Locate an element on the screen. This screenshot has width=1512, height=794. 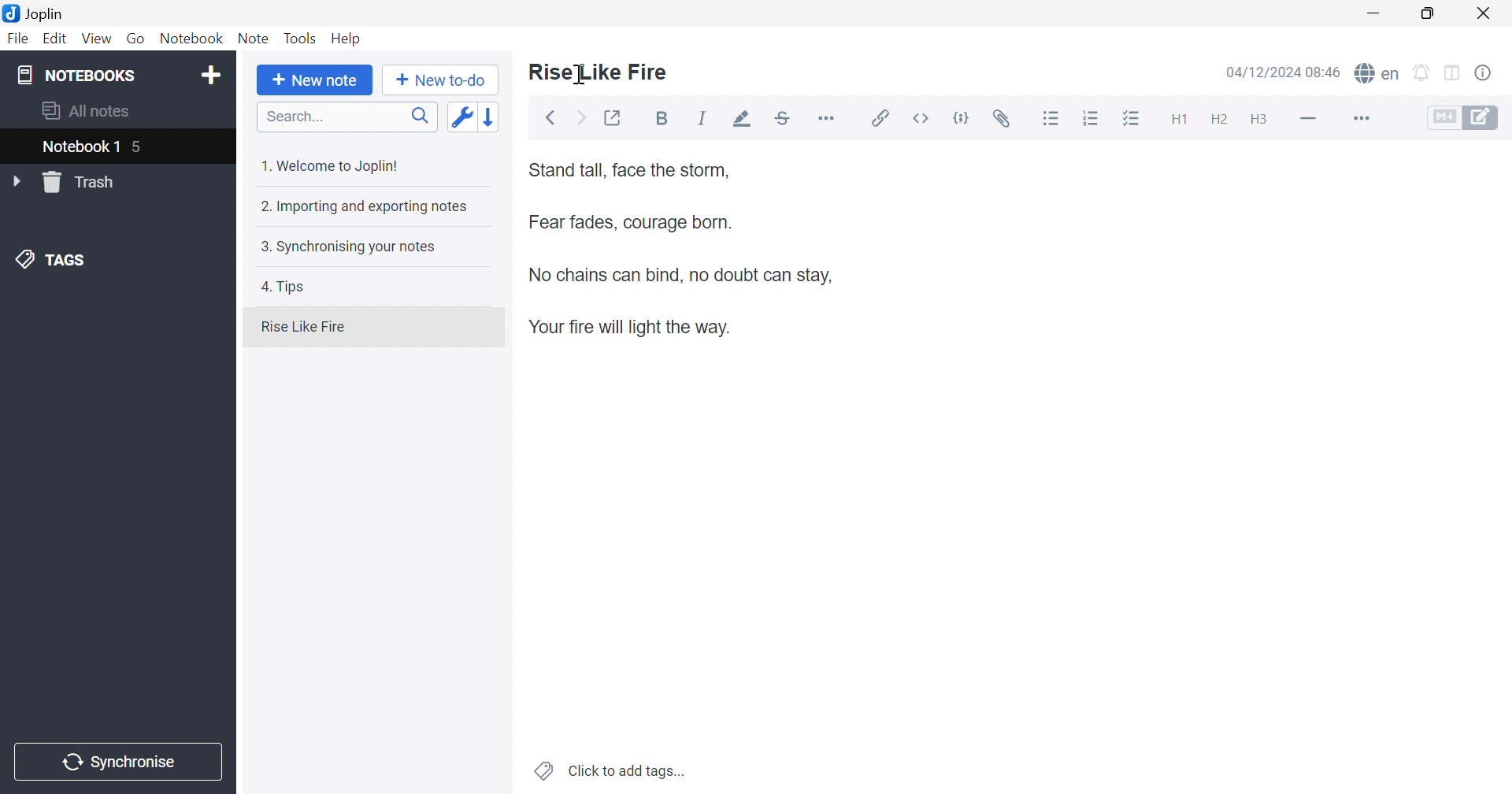
Stand tall, face the storm, is located at coordinates (631, 171).